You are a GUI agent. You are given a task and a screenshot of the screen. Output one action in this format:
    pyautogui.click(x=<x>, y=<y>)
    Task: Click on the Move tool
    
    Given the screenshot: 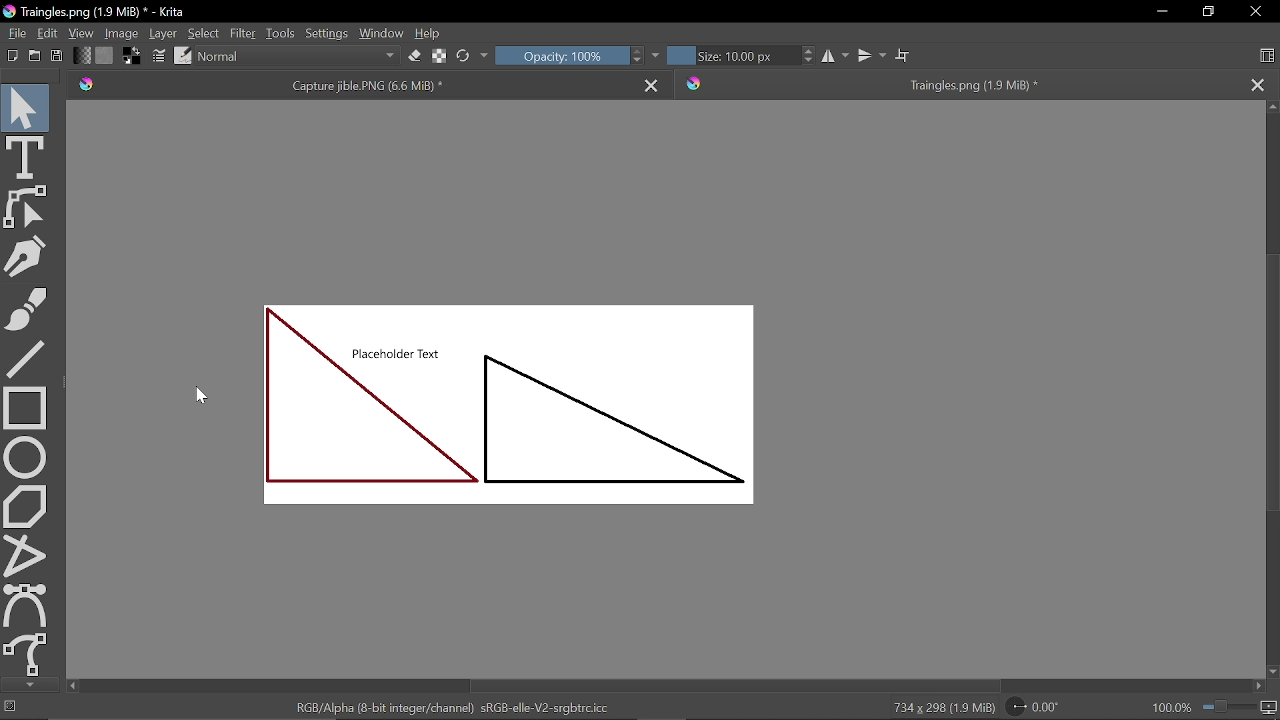 What is the action you would take?
    pyautogui.click(x=26, y=106)
    